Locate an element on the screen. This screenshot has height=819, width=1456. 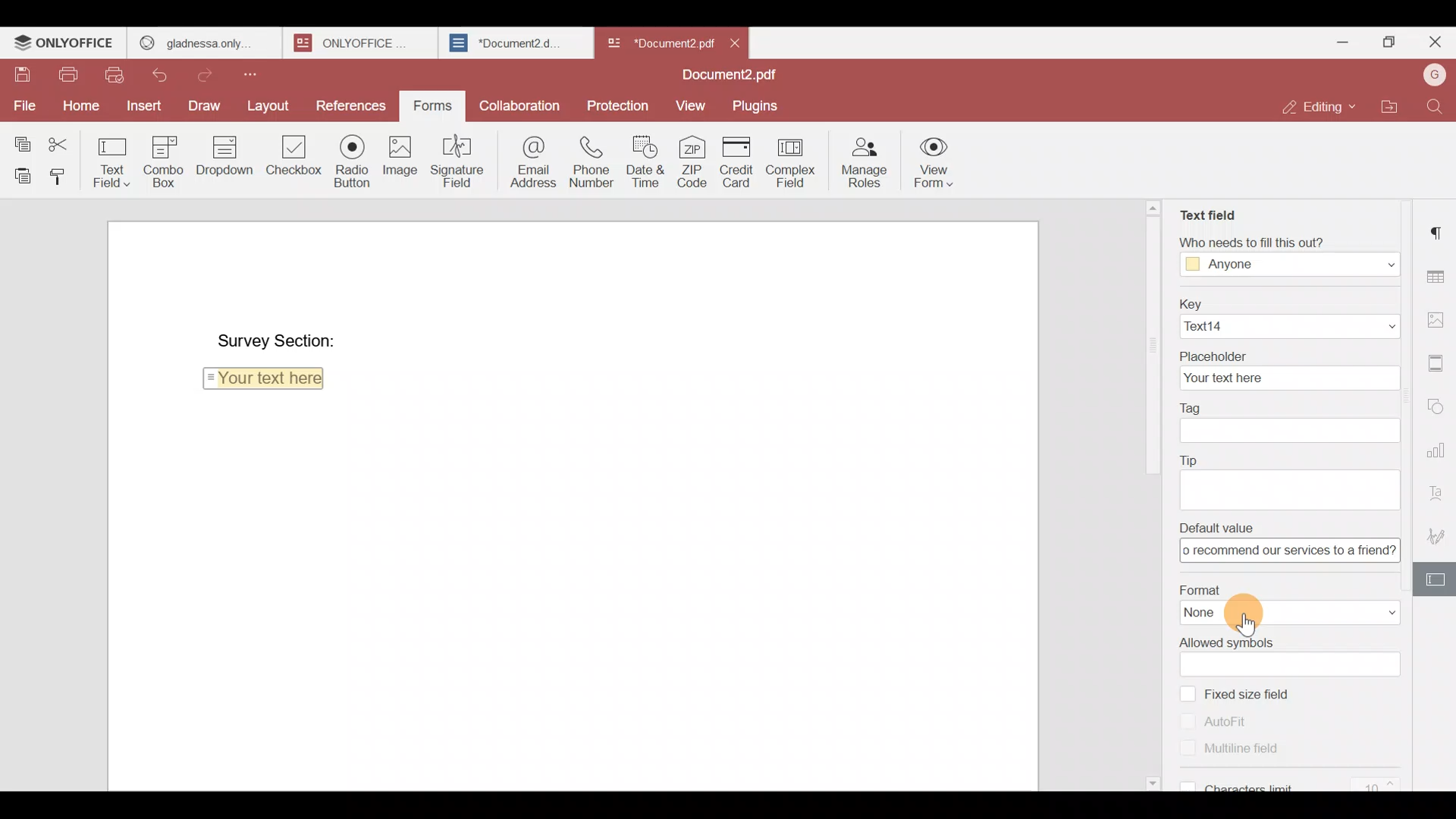
Cut is located at coordinates (64, 140).